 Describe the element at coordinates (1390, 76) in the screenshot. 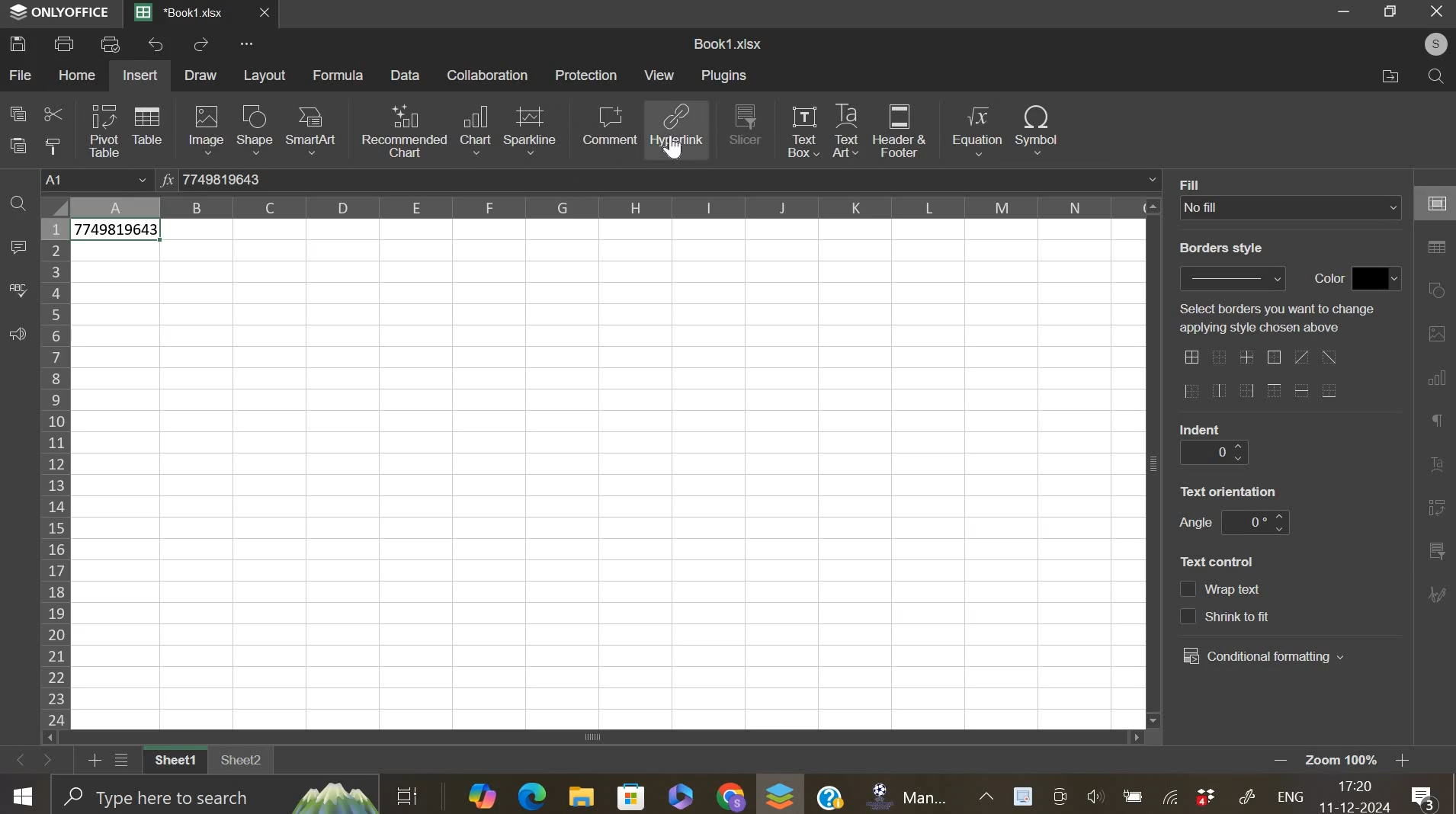

I see `files` at that location.